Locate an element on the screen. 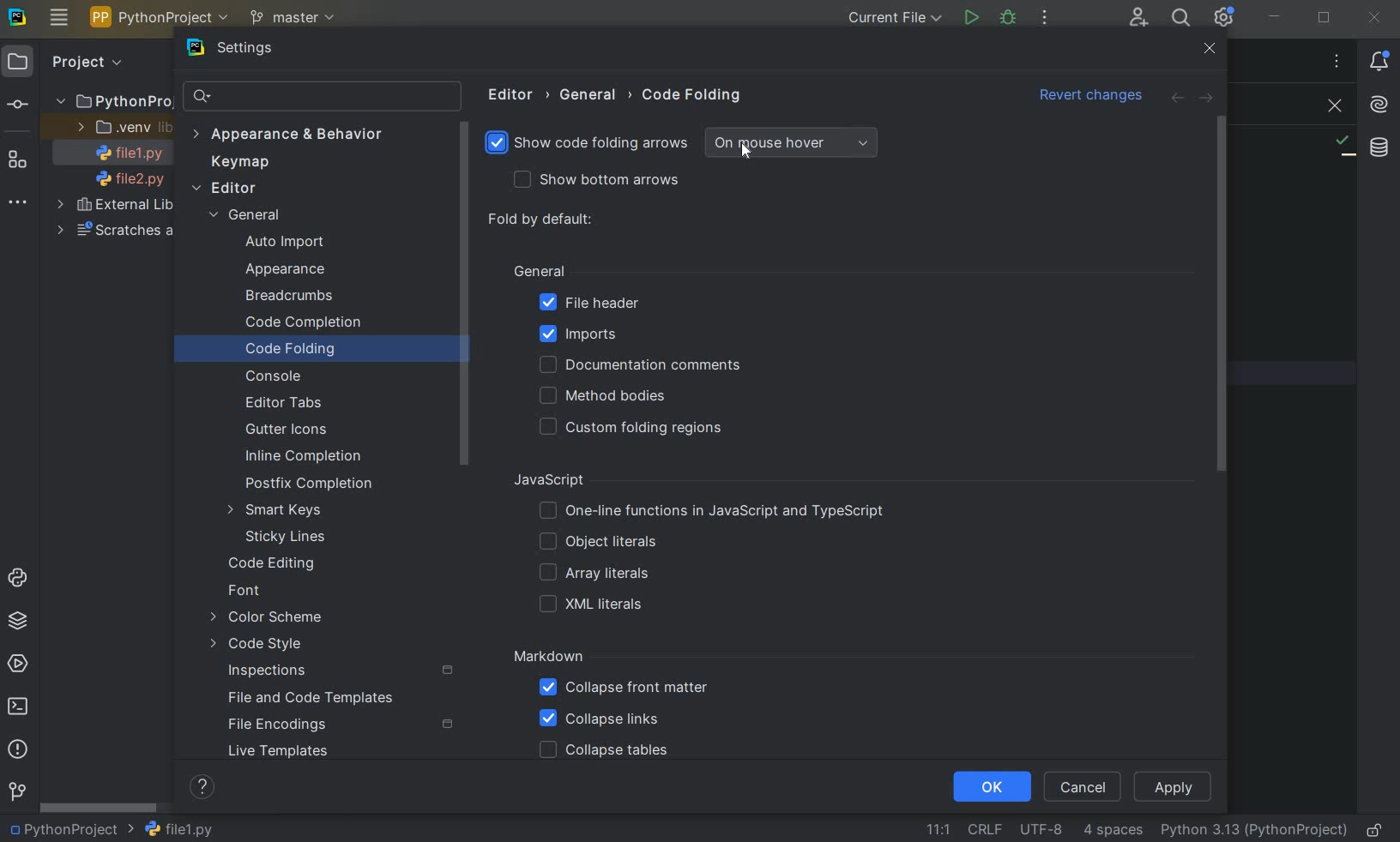  PPLY is located at coordinates (1175, 786).